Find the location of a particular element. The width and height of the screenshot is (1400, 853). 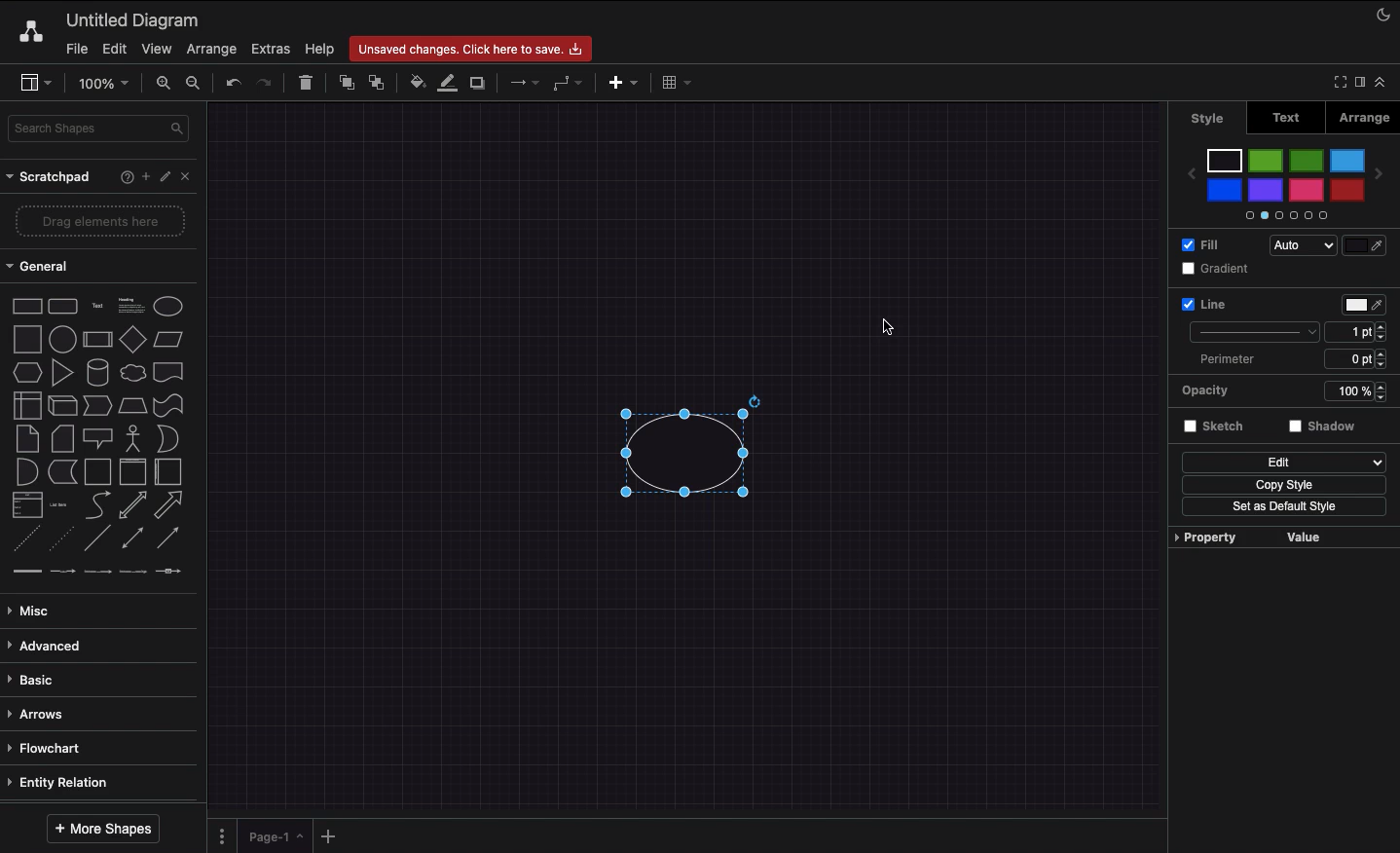

Fill color is located at coordinates (416, 85).